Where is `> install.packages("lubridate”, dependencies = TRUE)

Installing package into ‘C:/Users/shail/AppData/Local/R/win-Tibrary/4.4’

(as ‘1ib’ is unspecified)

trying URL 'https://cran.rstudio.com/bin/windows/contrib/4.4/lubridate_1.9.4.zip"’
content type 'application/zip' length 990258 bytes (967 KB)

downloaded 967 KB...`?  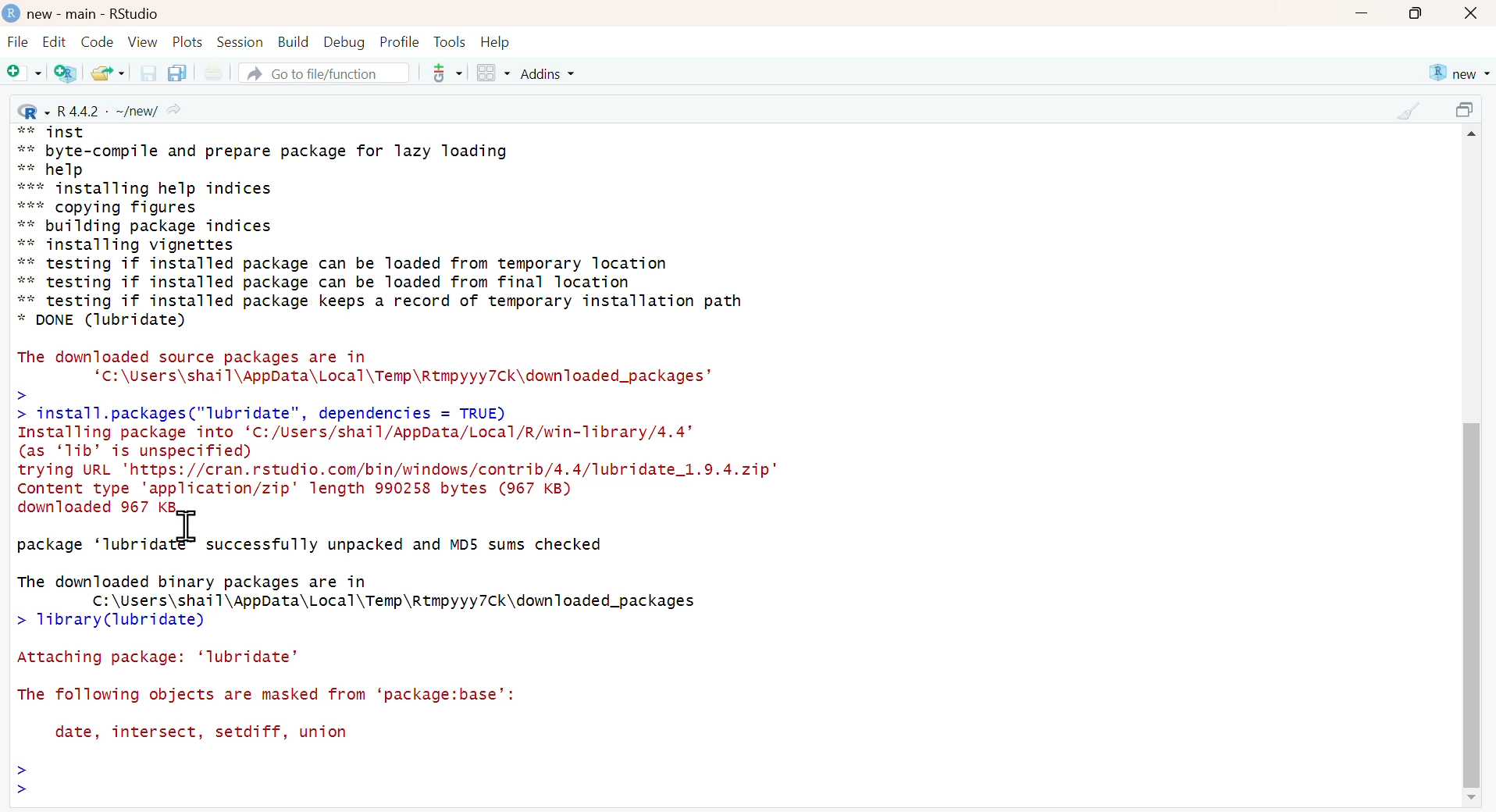 > install.packages("lubridate”, dependencies = TRUE)

Installing package into ‘C:/Users/shail/AppData/Local/R/win-Tibrary/4.4’

(as ‘1ib’ is unspecified)

trying URL 'https://cran.rstudio.com/bin/windows/contrib/4.4/lubridate_1.9.4.zip"’
content type 'application/zip' length 990258 bytes (967 KB)

downloaded 967 KB... is located at coordinates (400, 459).